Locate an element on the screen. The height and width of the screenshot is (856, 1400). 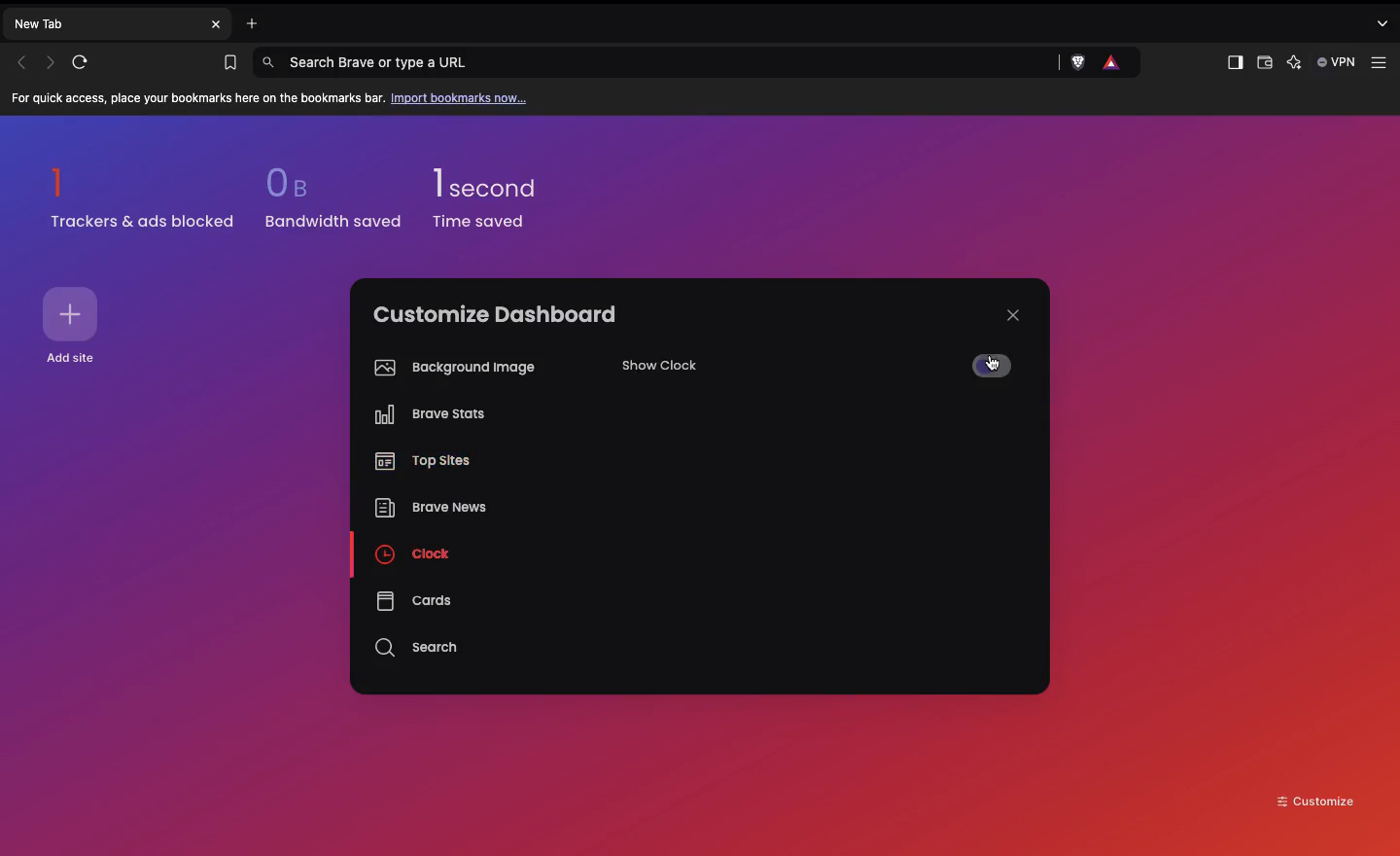
Brave news is located at coordinates (429, 510).